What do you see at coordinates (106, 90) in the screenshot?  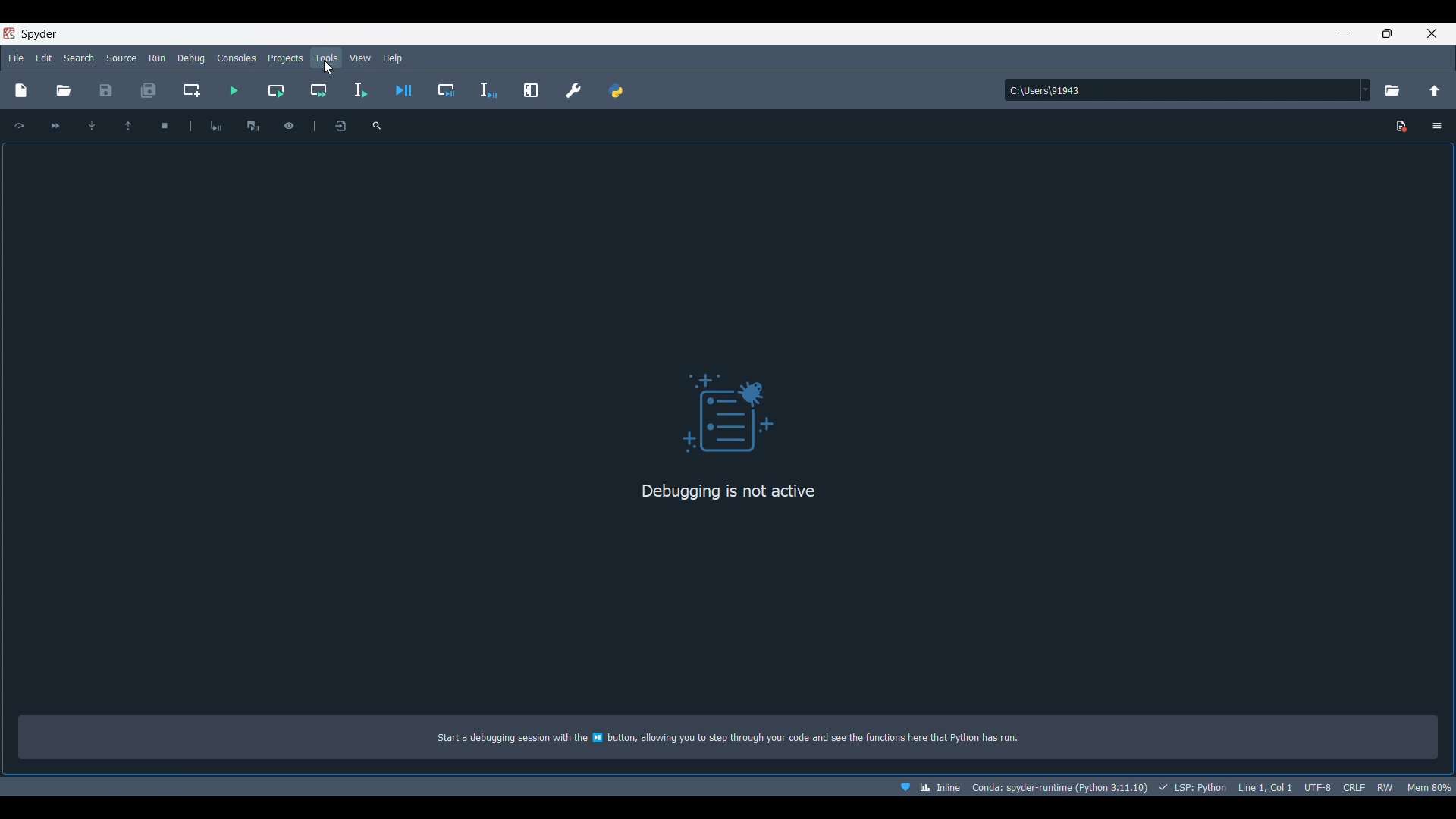 I see `Save` at bounding box center [106, 90].